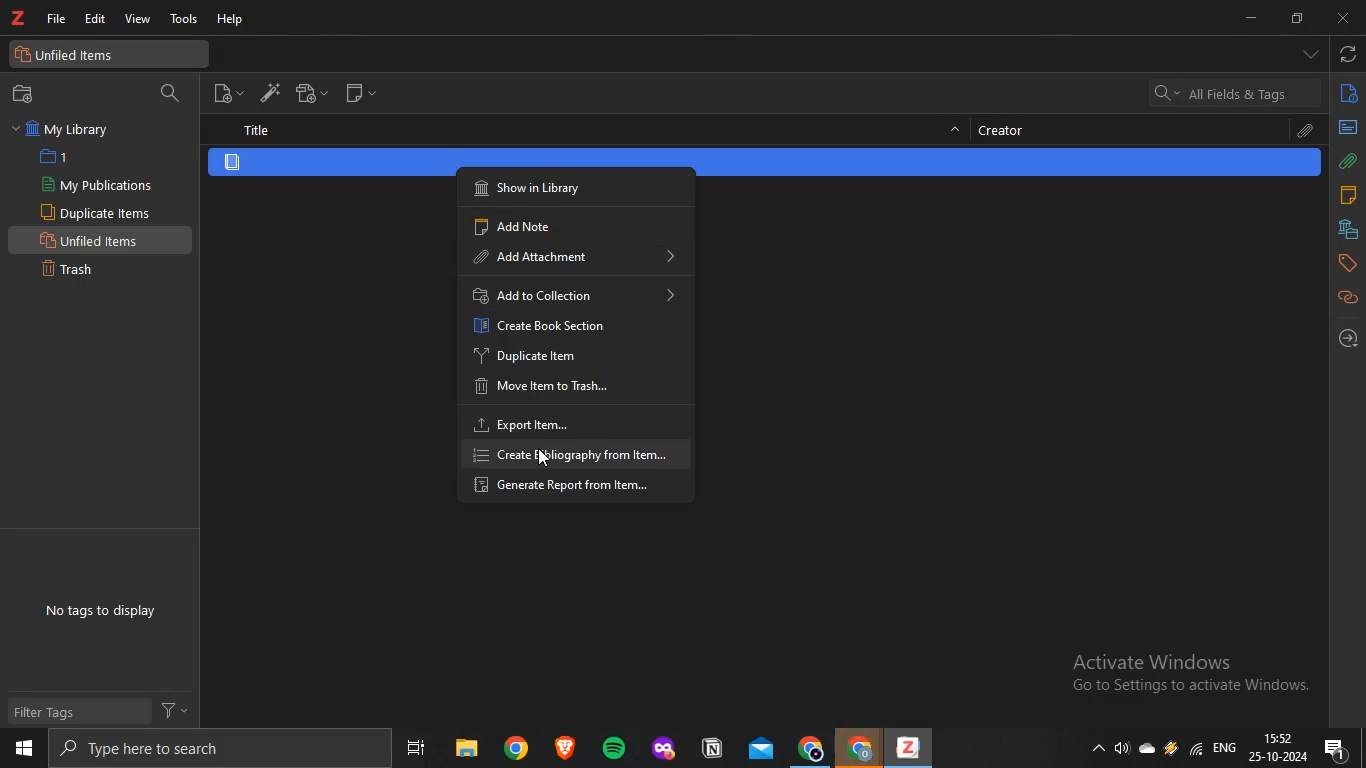 The width and height of the screenshot is (1366, 768). Describe the element at coordinates (228, 91) in the screenshot. I see `new item` at that location.